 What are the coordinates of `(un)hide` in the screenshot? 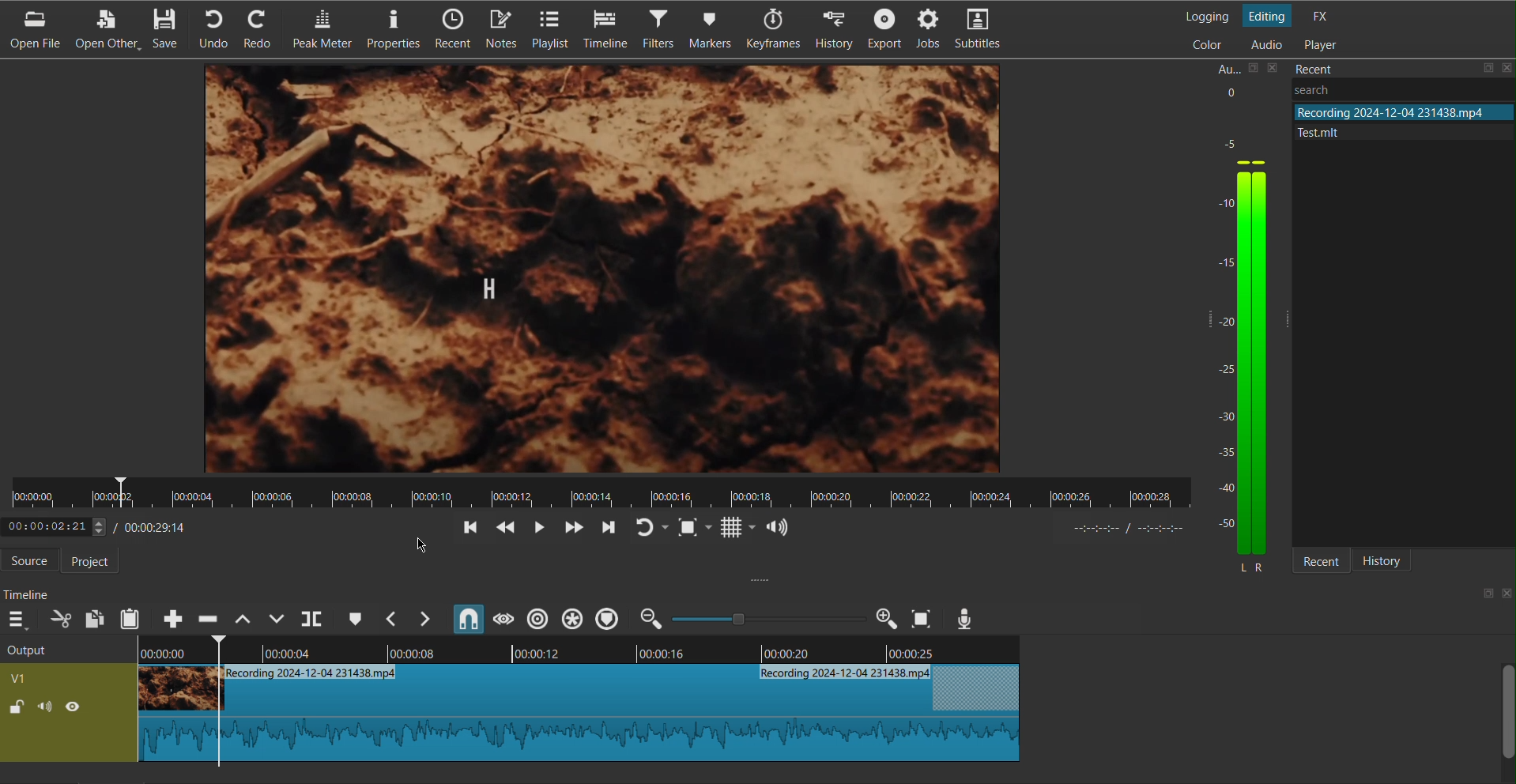 It's located at (73, 706).